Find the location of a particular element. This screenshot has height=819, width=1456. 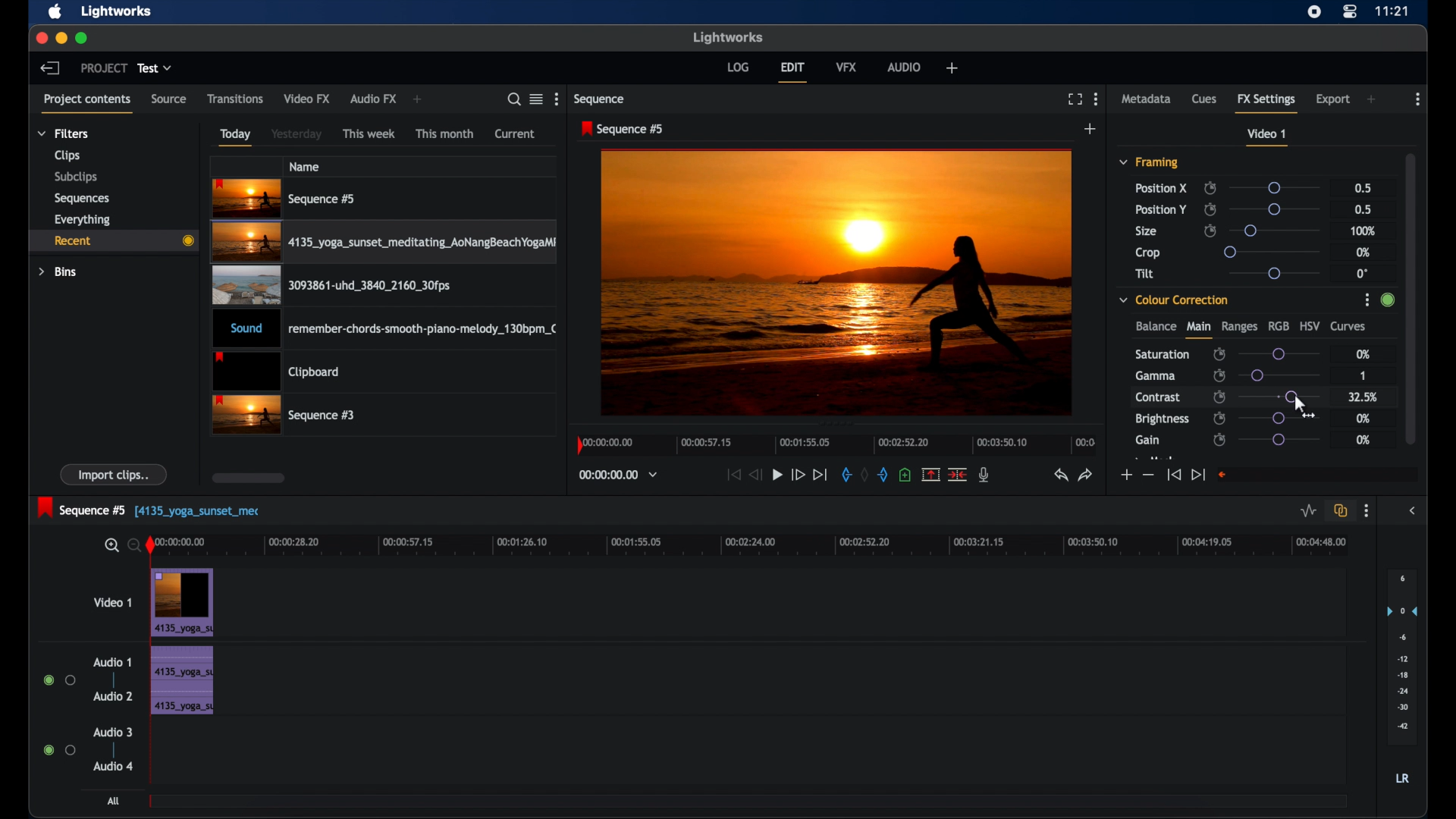

clips is located at coordinates (67, 156).